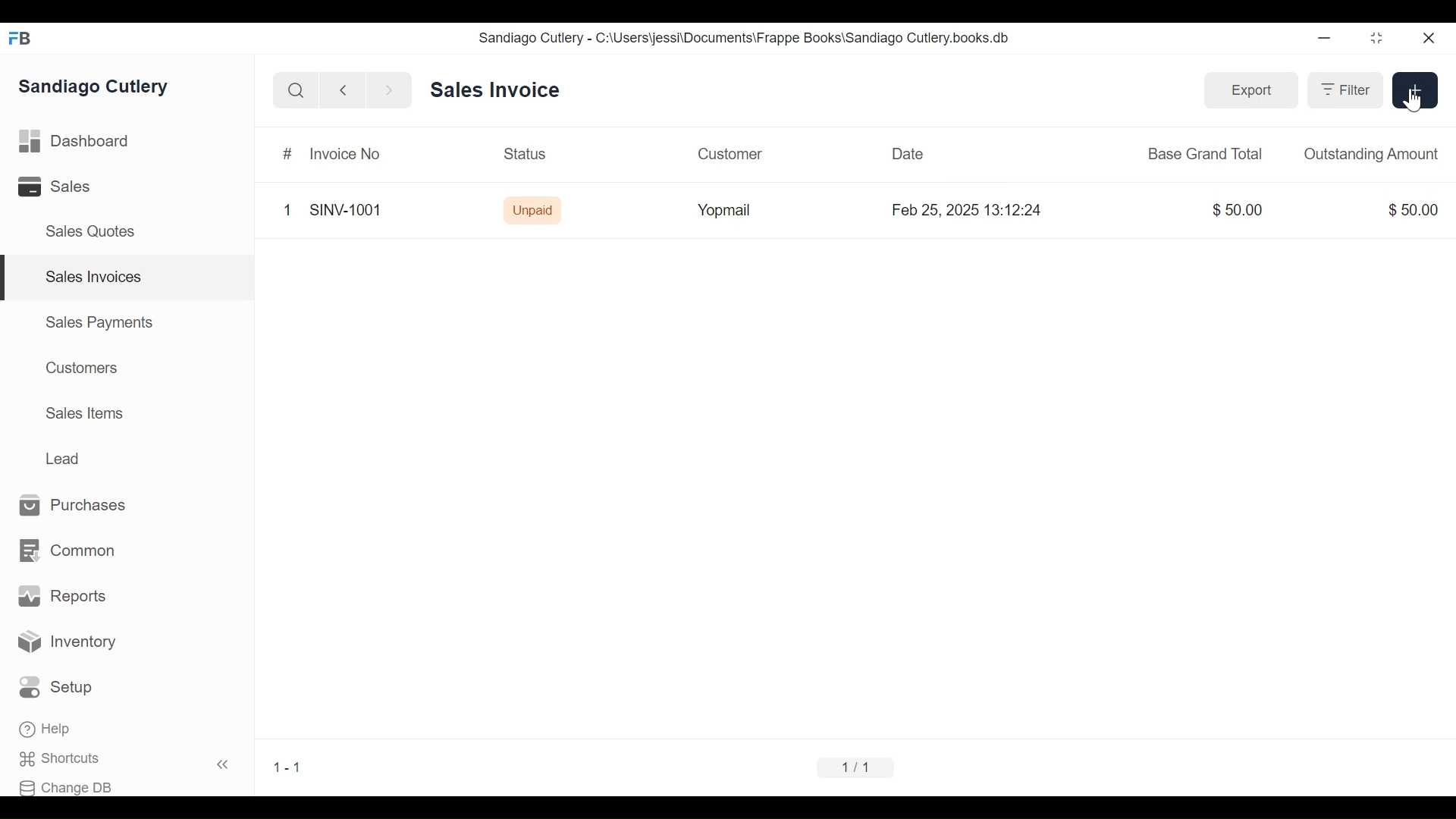 Image resolution: width=1456 pixels, height=819 pixels. What do you see at coordinates (56, 687) in the screenshot?
I see `Setup` at bounding box center [56, 687].